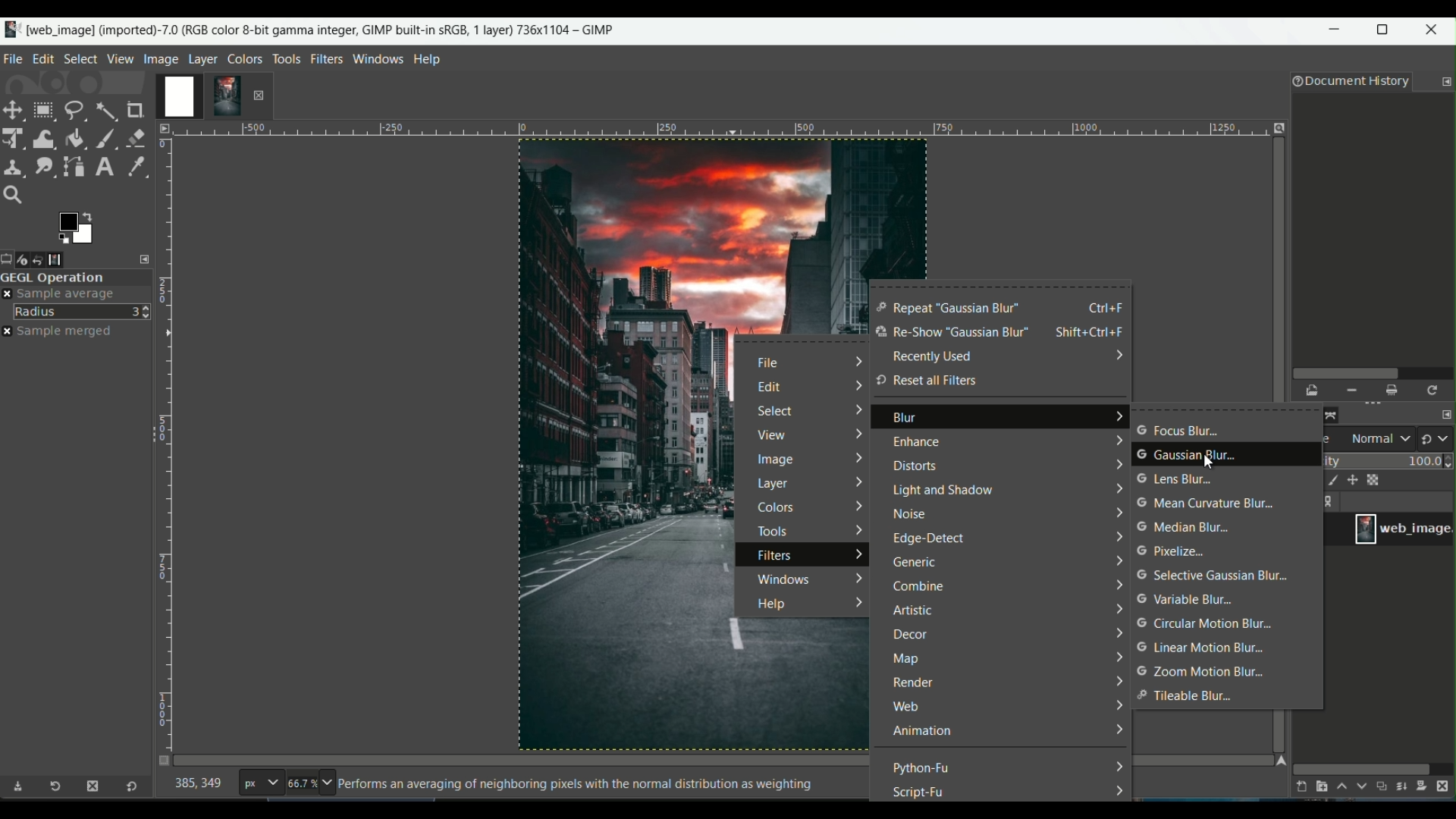 The height and width of the screenshot is (819, 1456). What do you see at coordinates (76, 278) in the screenshot?
I see `gegl operation` at bounding box center [76, 278].